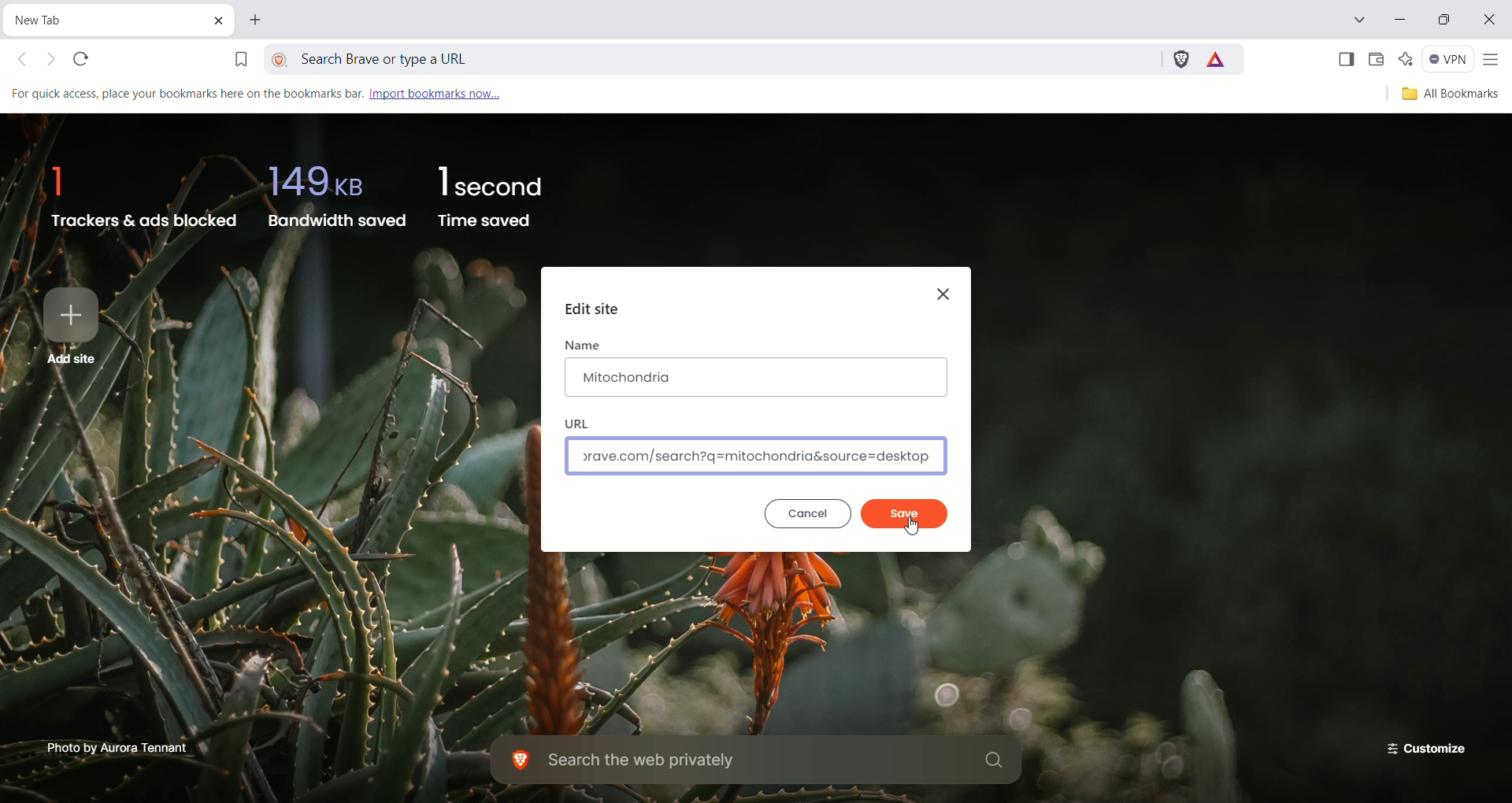  What do you see at coordinates (807, 513) in the screenshot?
I see `cancel` at bounding box center [807, 513].